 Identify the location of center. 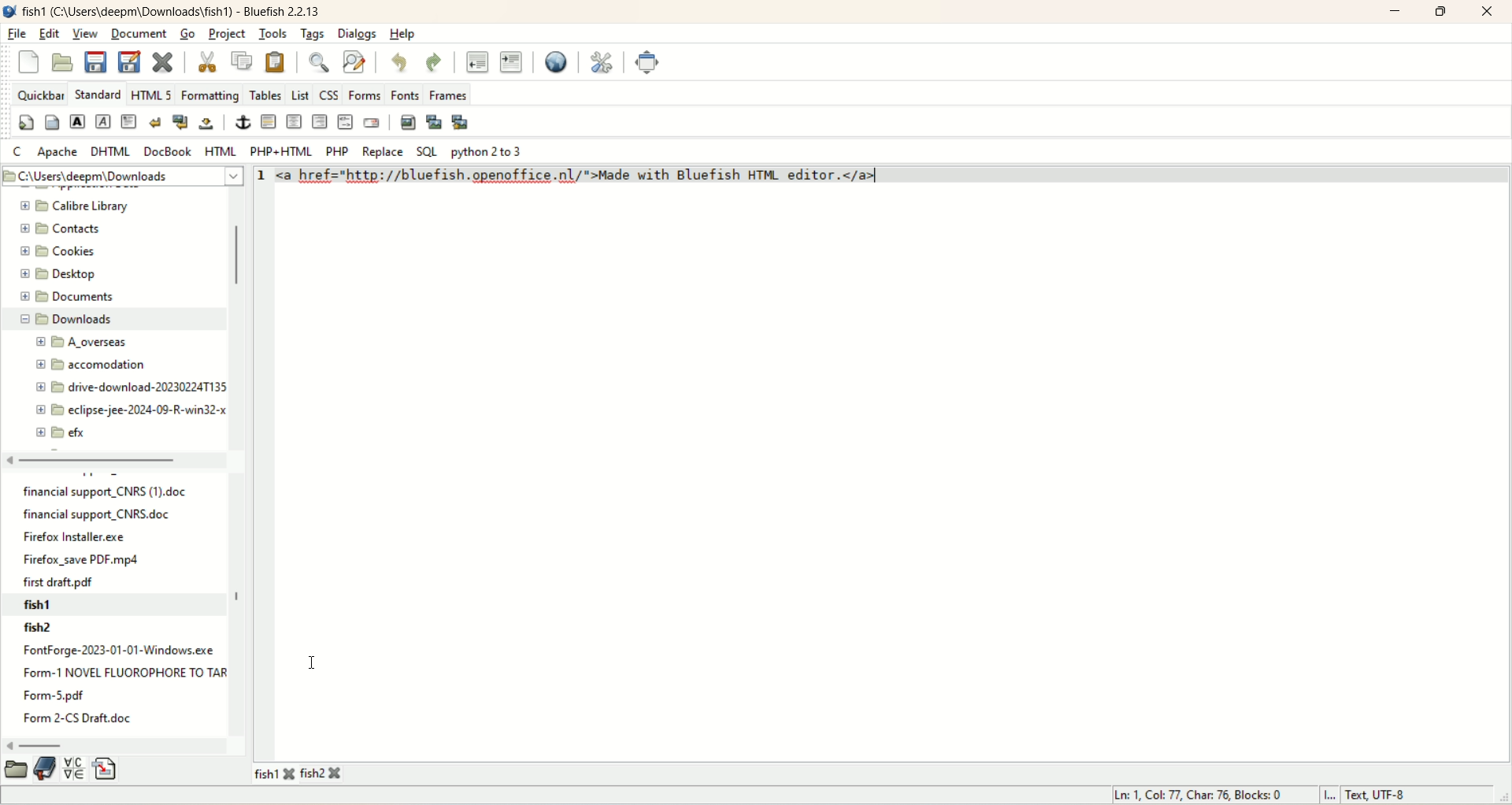
(294, 121).